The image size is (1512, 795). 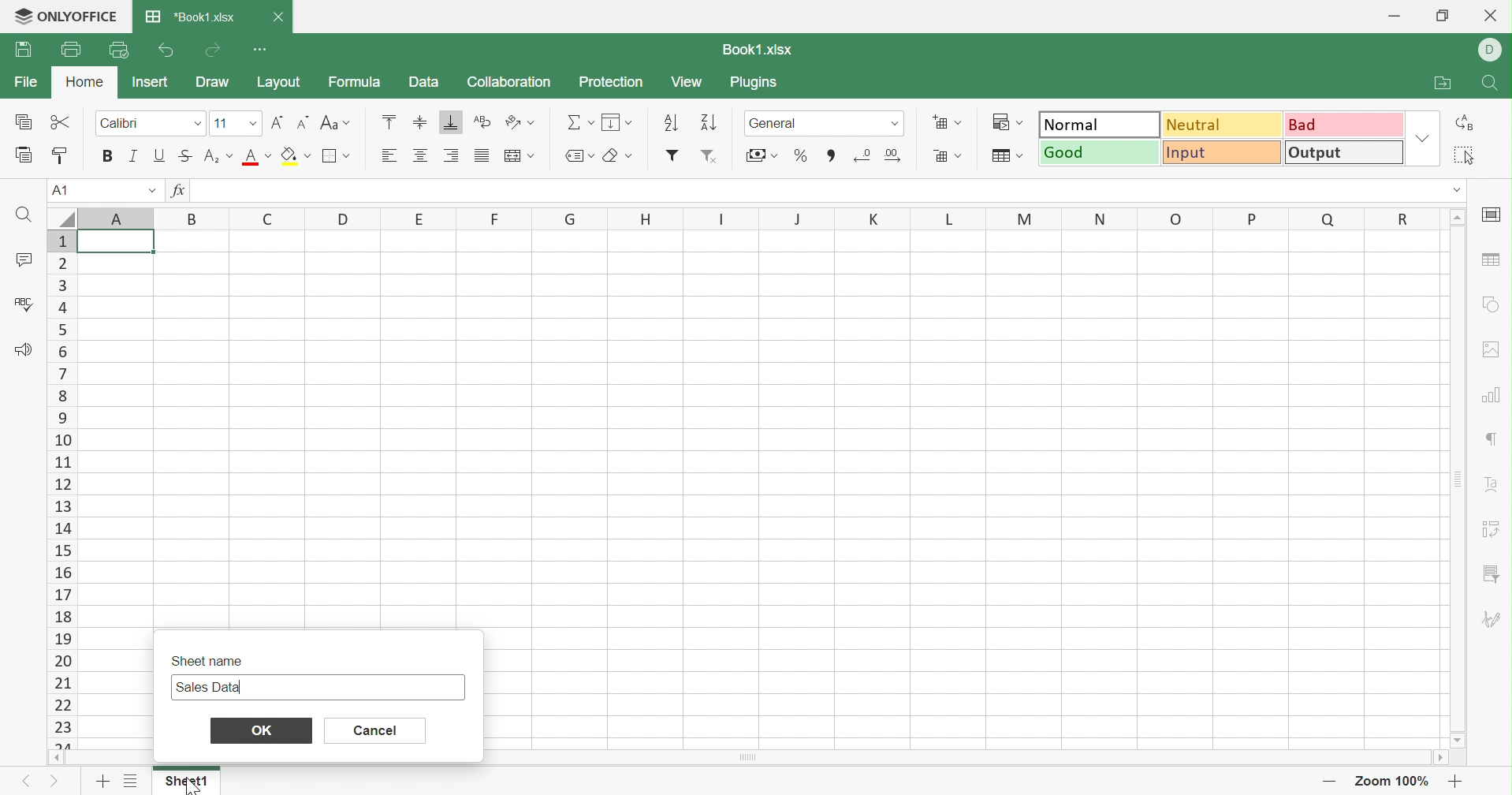 I want to click on Chart settings, so click(x=1492, y=397).